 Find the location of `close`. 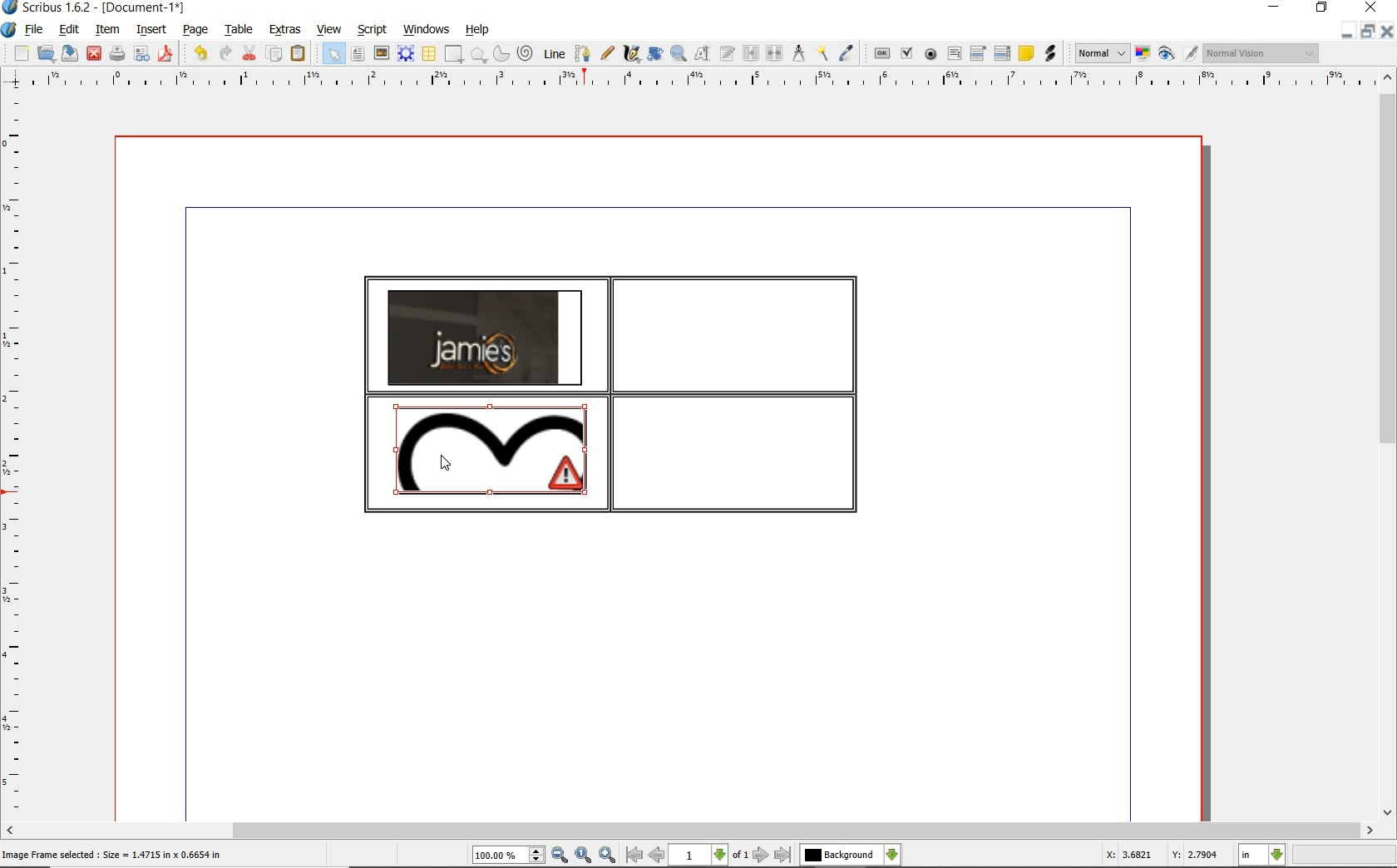

close is located at coordinates (93, 52).